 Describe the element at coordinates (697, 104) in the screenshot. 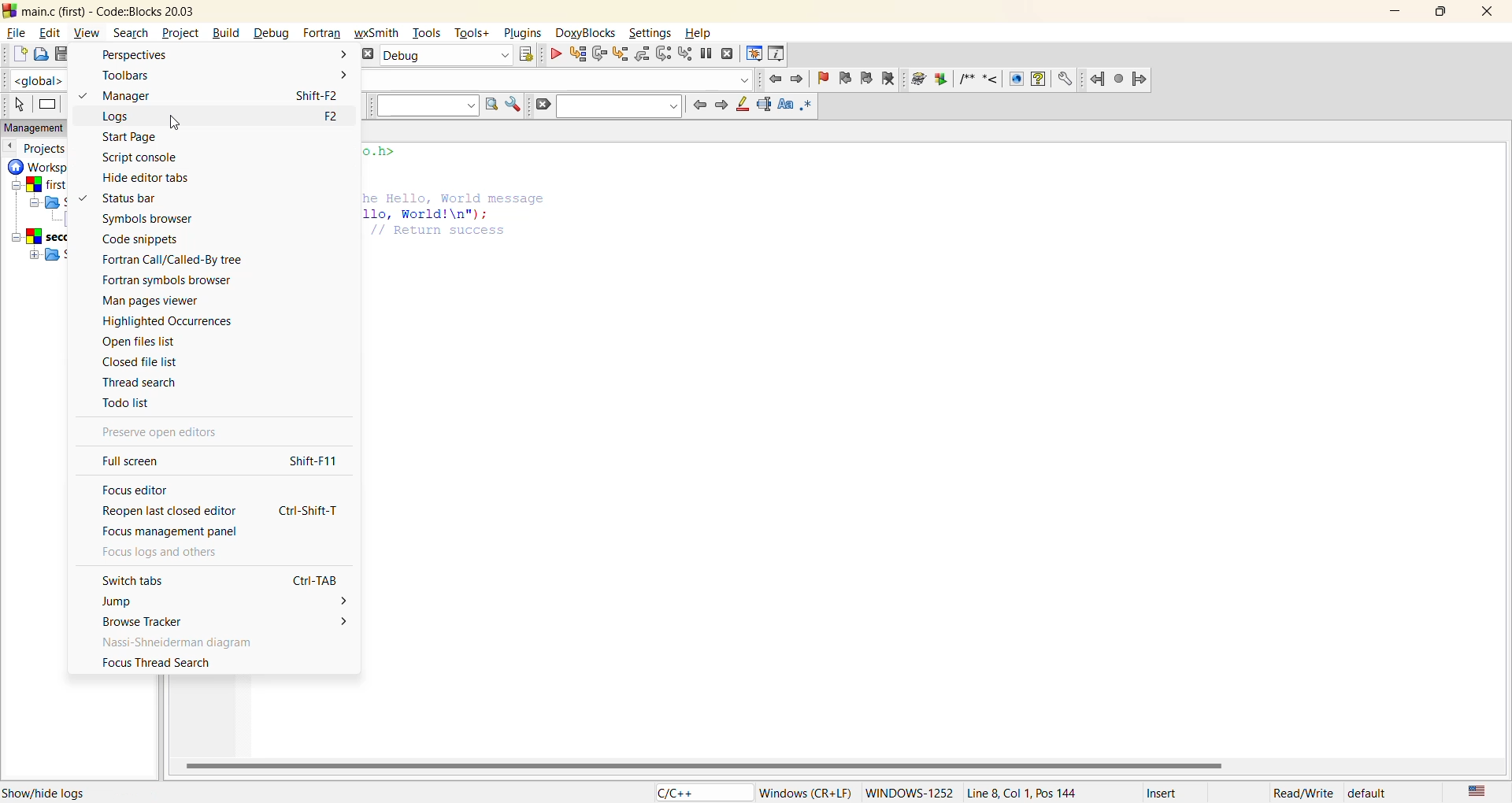

I see `previous` at that location.